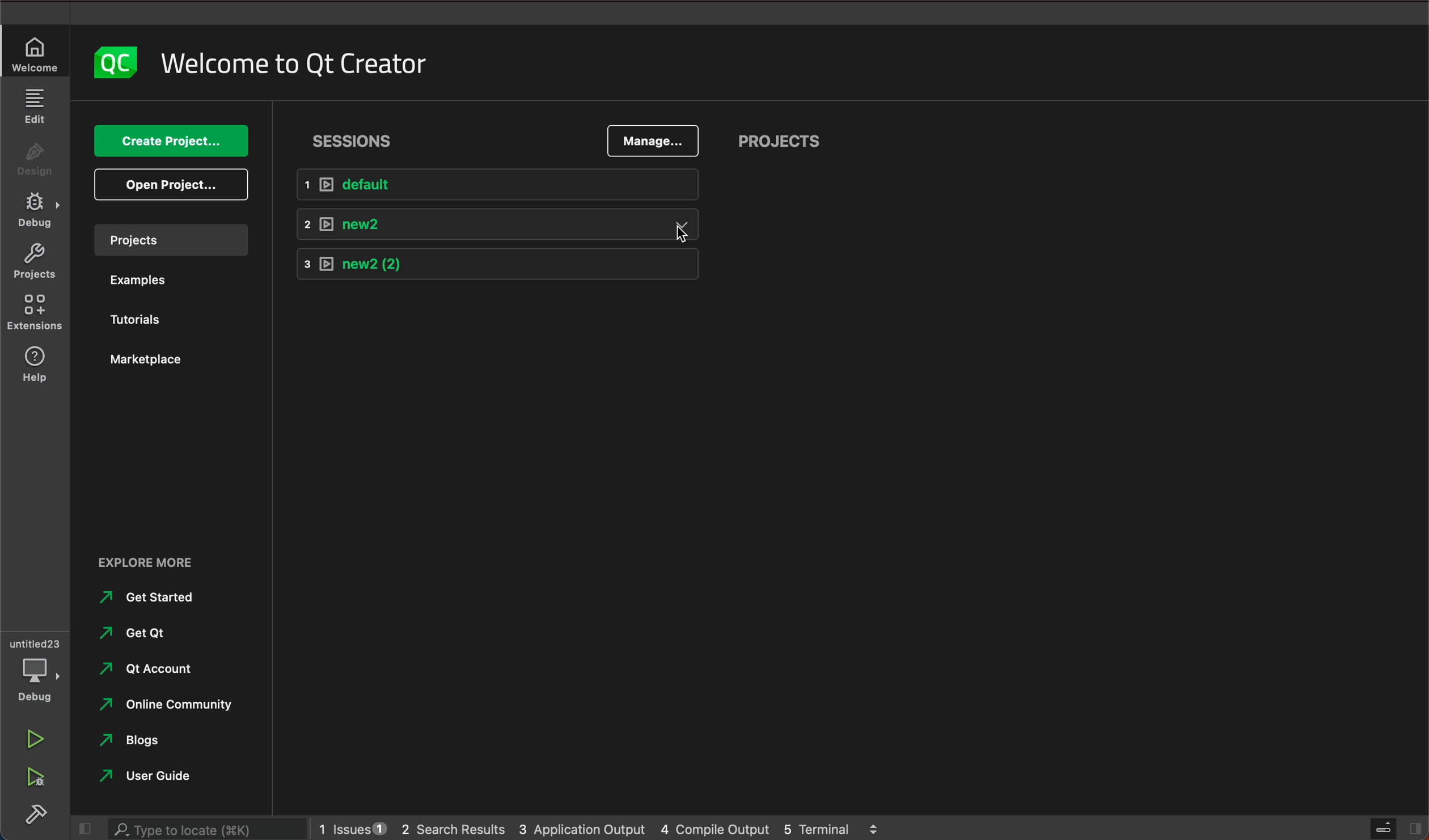 The image size is (1429, 840). Describe the element at coordinates (147, 561) in the screenshot. I see `EXPLORE MORE` at that location.